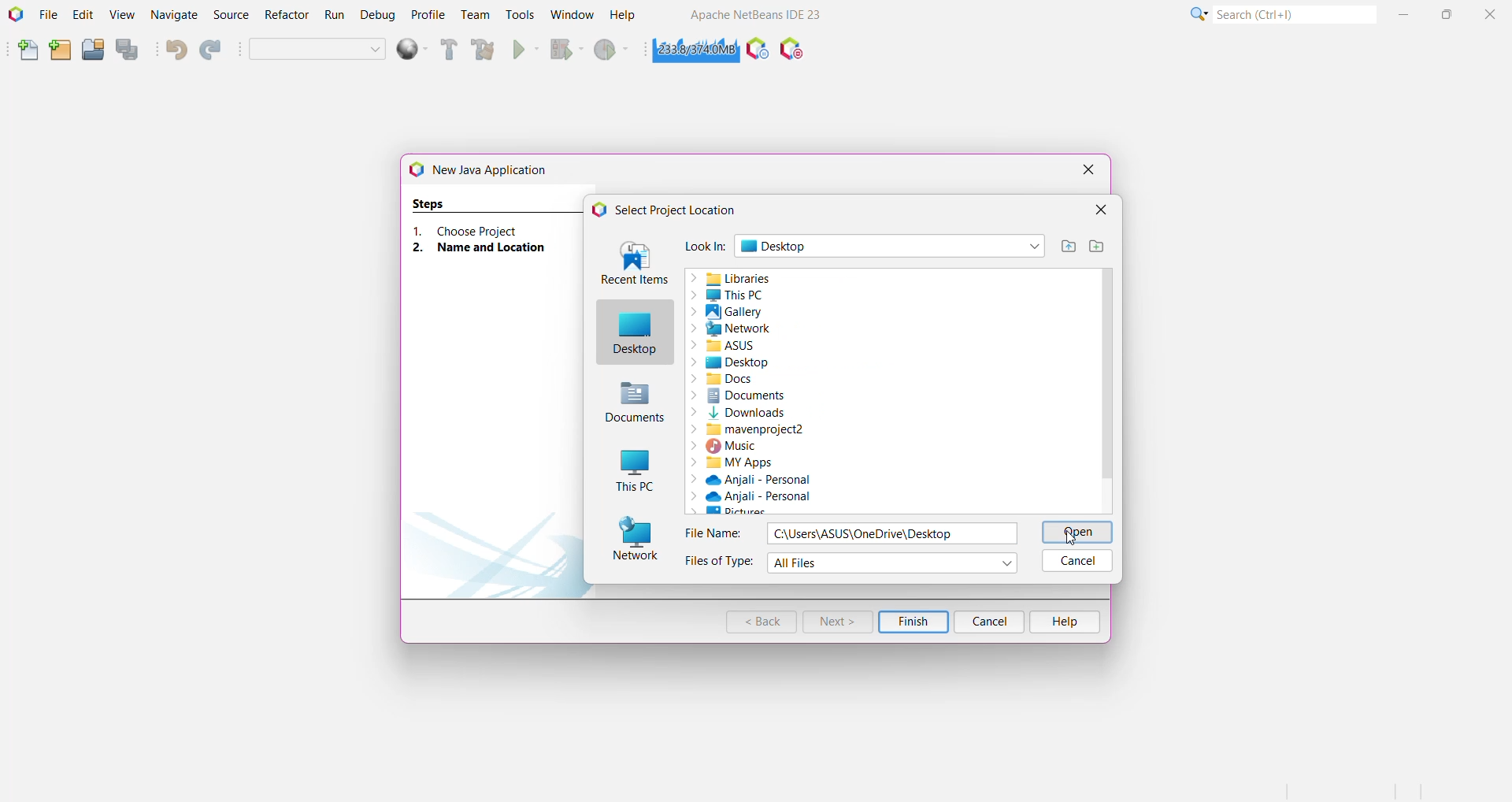 The width and height of the screenshot is (1512, 802). Describe the element at coordinates (758, 16) in the screenshot. I see `Application Name and Version` at that location.